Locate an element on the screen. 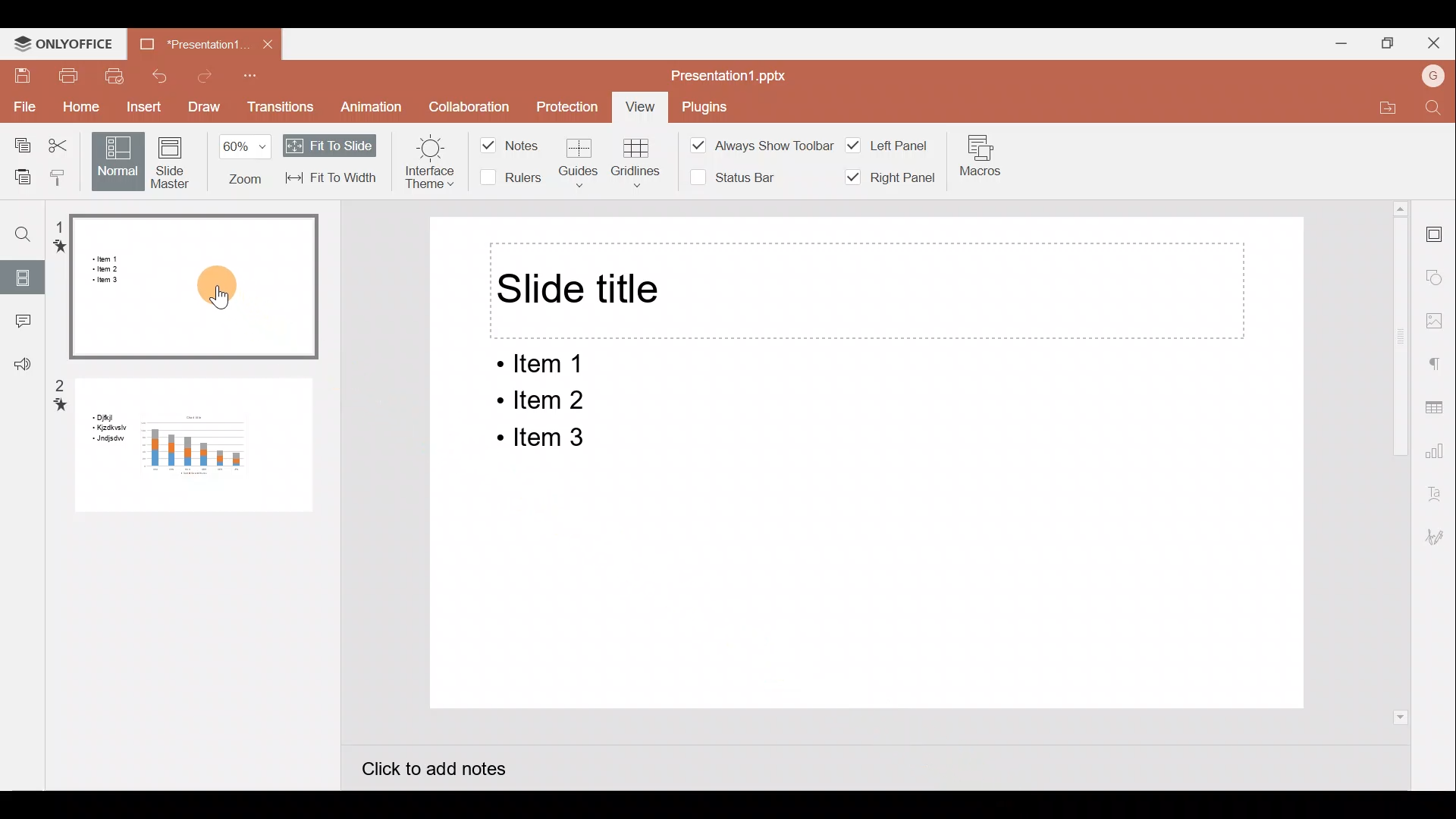 The width and height of the screenshot is (1456, 819). Copy is located at coordinates (17, 142).